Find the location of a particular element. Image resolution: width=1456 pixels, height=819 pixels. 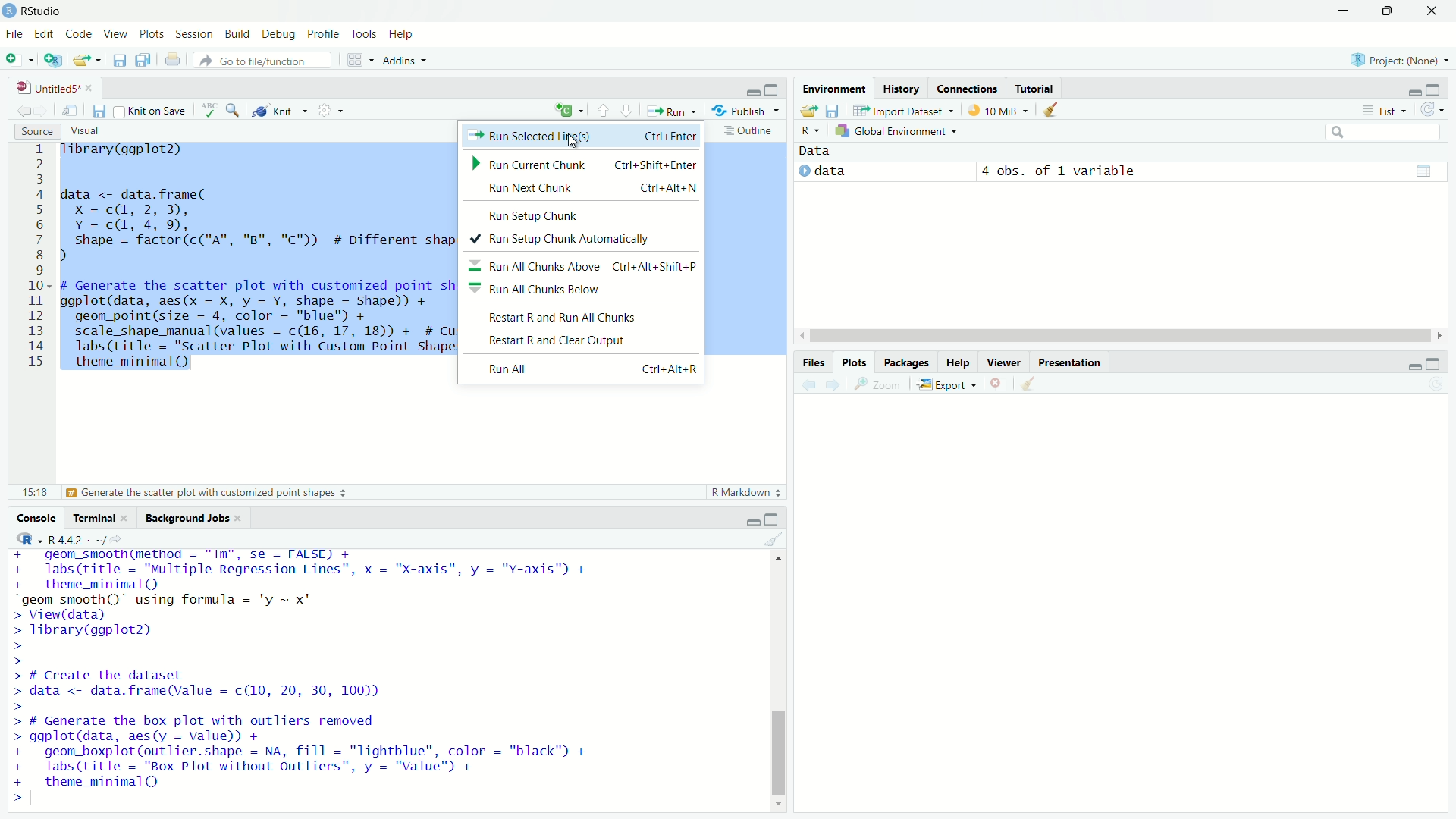

9 MiB is located at coordinates (996, 110).